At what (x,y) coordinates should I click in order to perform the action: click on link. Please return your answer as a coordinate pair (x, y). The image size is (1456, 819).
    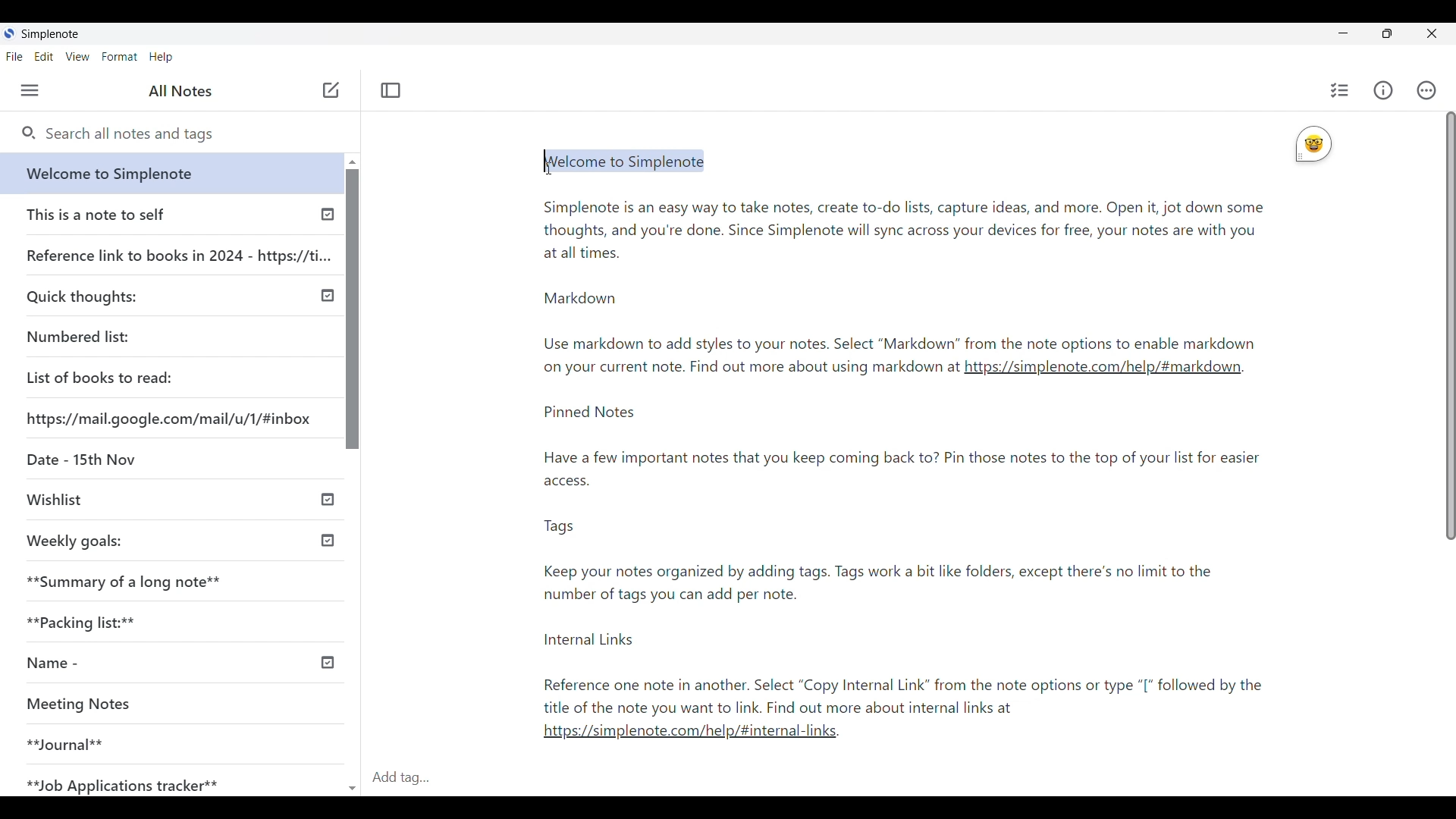
    Looking at the image, I should click on (1103, 372).